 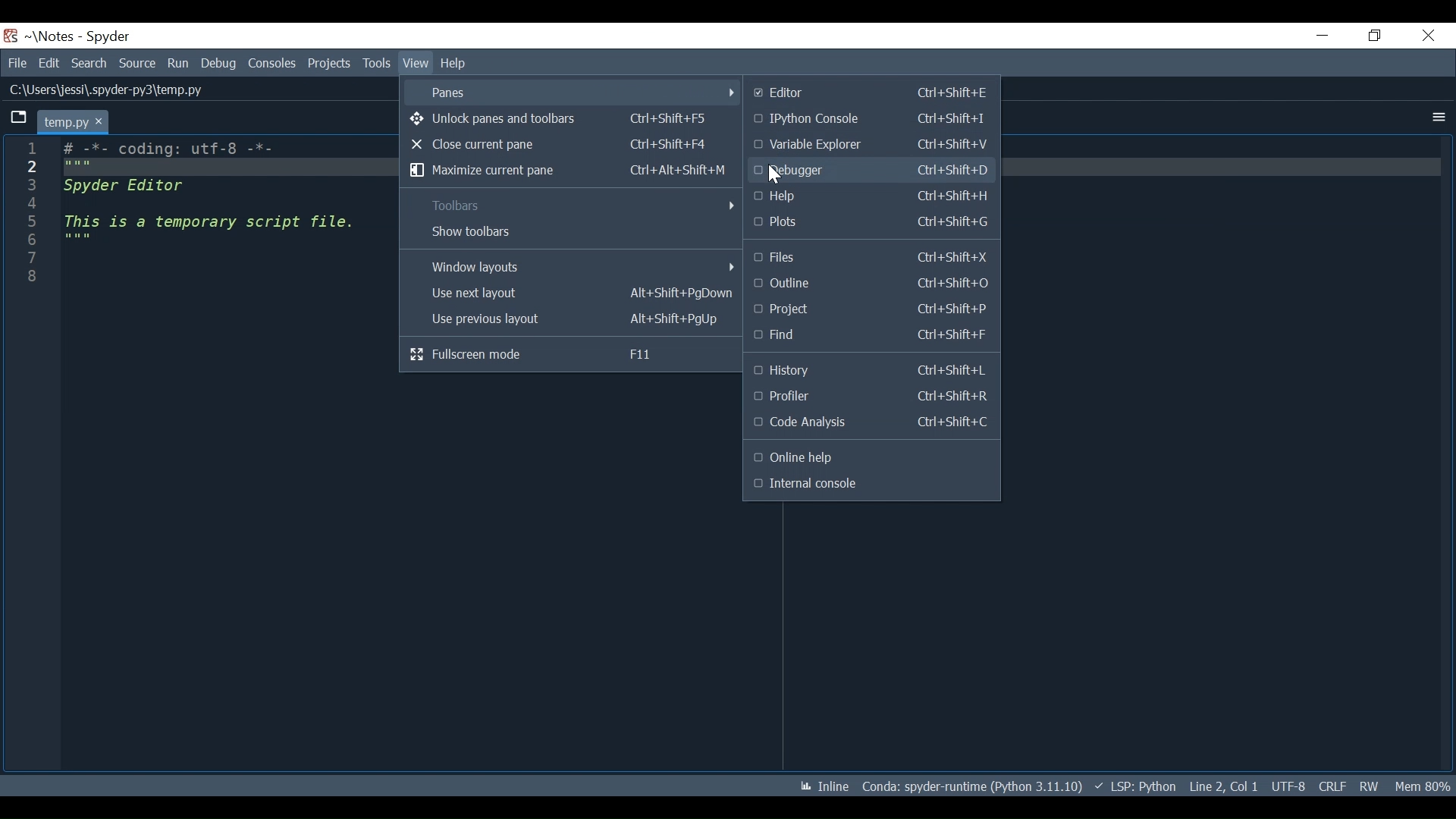 I want to click on Maximize current pane, so click(x=570, y=171).